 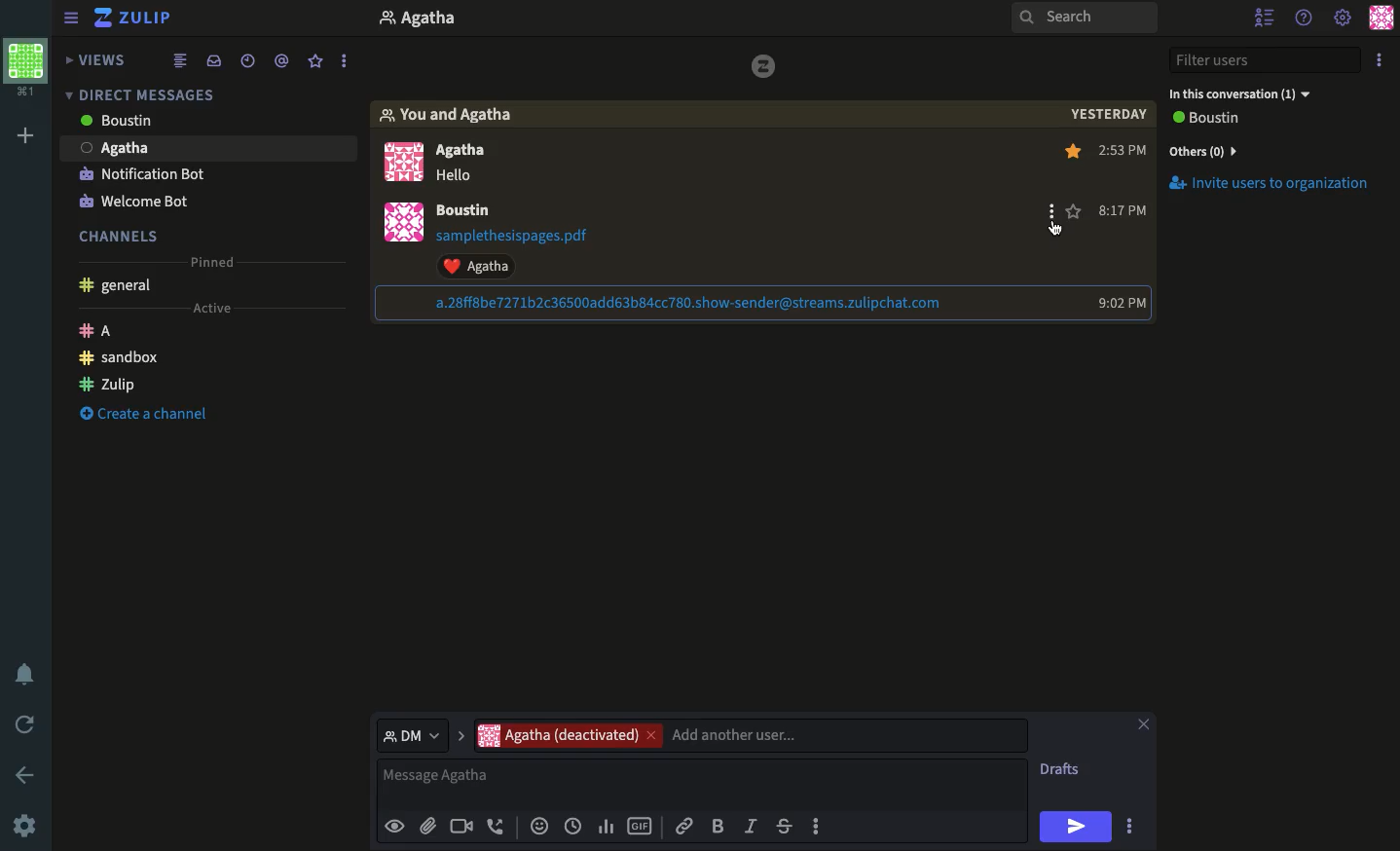 What do you see at coordinates (1269, 60) in the screenshot?
I see `Filter user` at bounding box center [1269, 60].